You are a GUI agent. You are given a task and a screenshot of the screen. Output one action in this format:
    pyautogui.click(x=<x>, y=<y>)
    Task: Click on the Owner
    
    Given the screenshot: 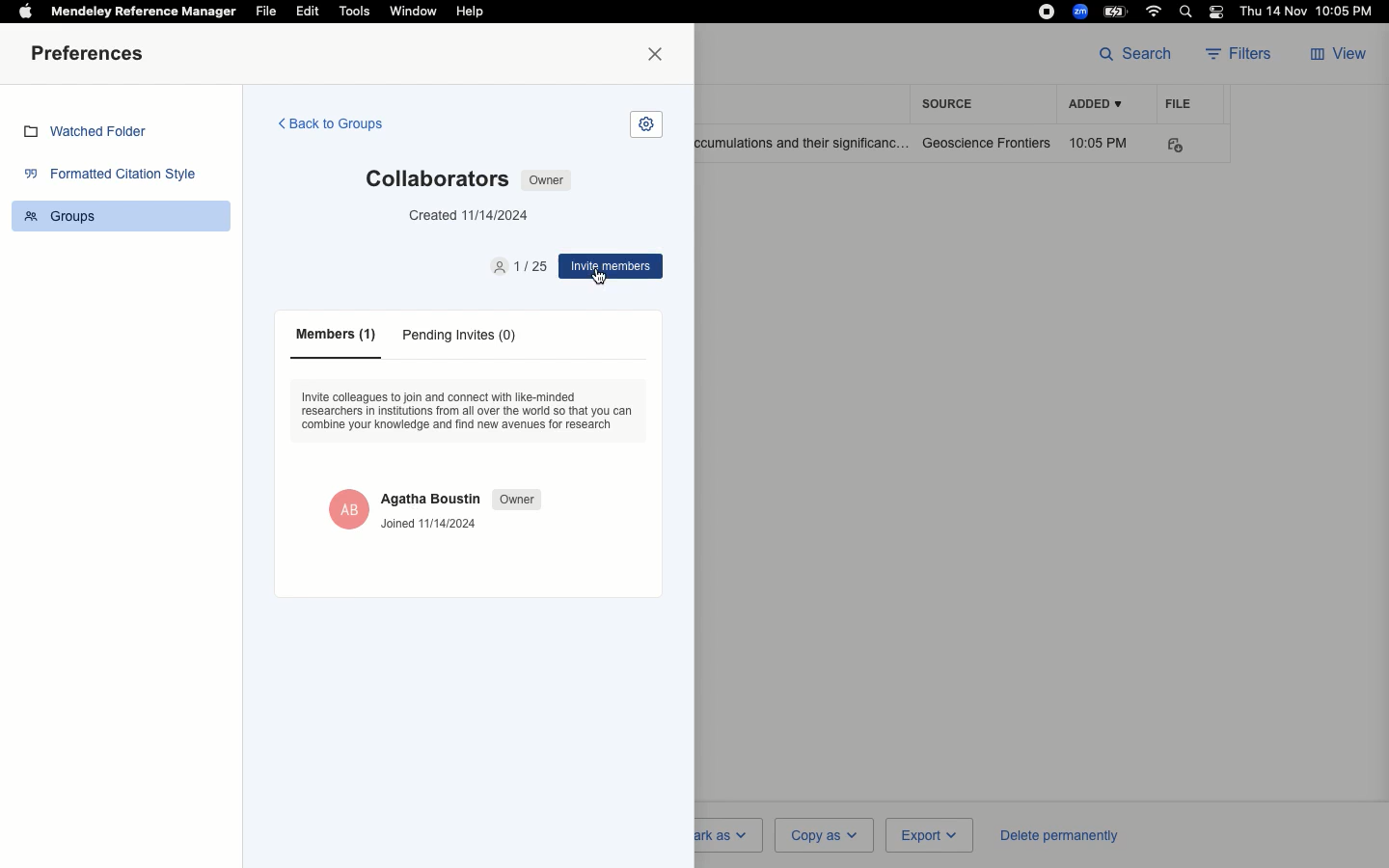 What is the action you would take?
    pyautogui.click(x=544, y=179)
    